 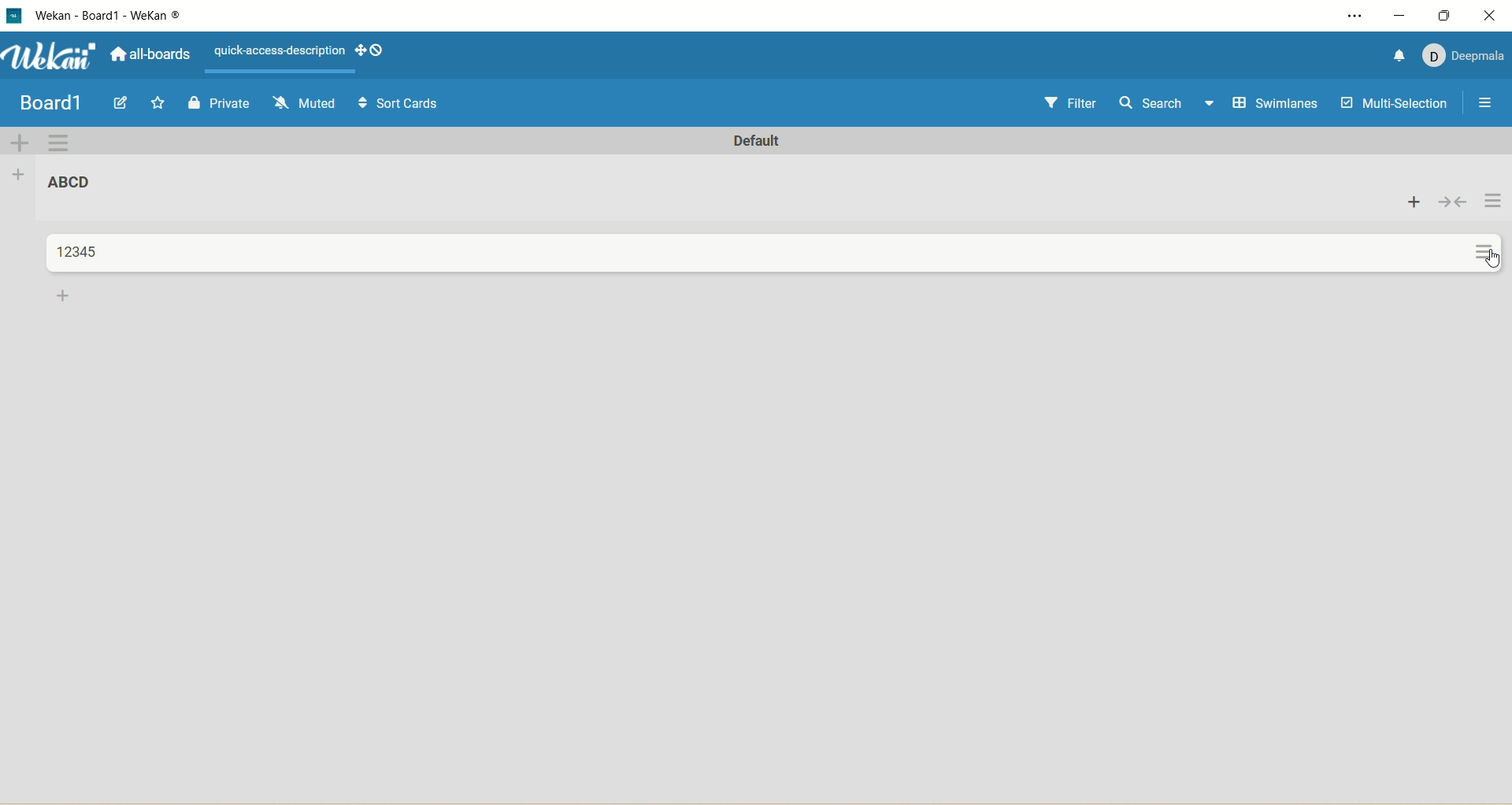 What do you see at coordinates (1168, 105) in the screenshot?
I see `search` at bounding box center [1168, 105].